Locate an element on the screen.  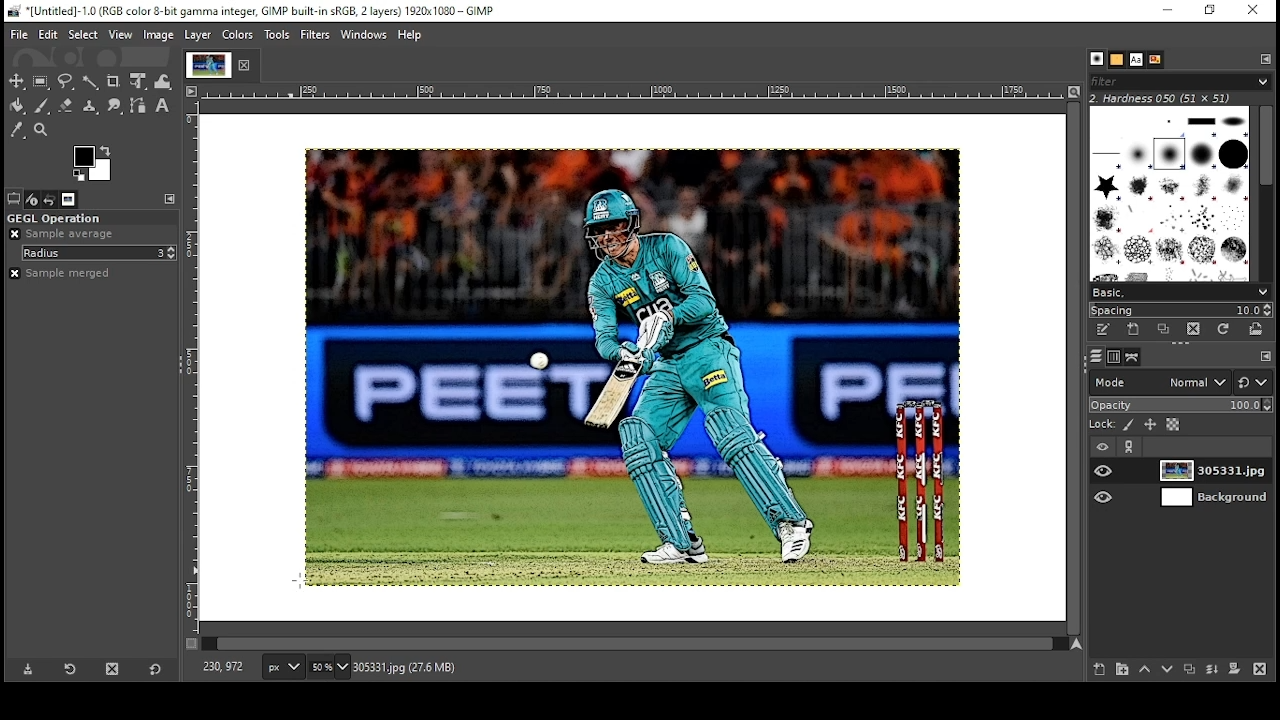
radius is located at coordinates (100, 253).